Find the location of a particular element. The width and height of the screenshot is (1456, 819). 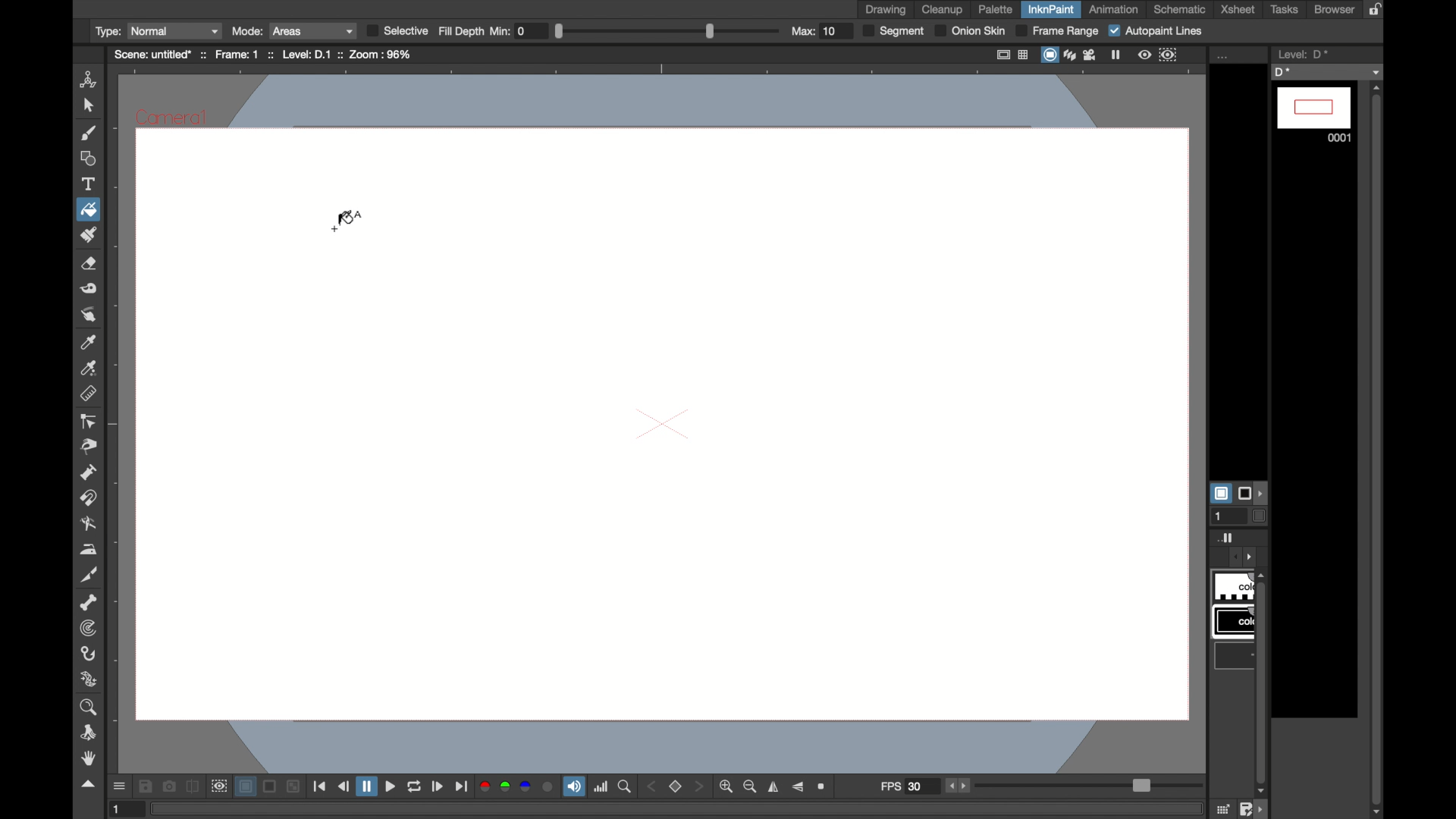

fill cursor is located at coordinates (350, 221).